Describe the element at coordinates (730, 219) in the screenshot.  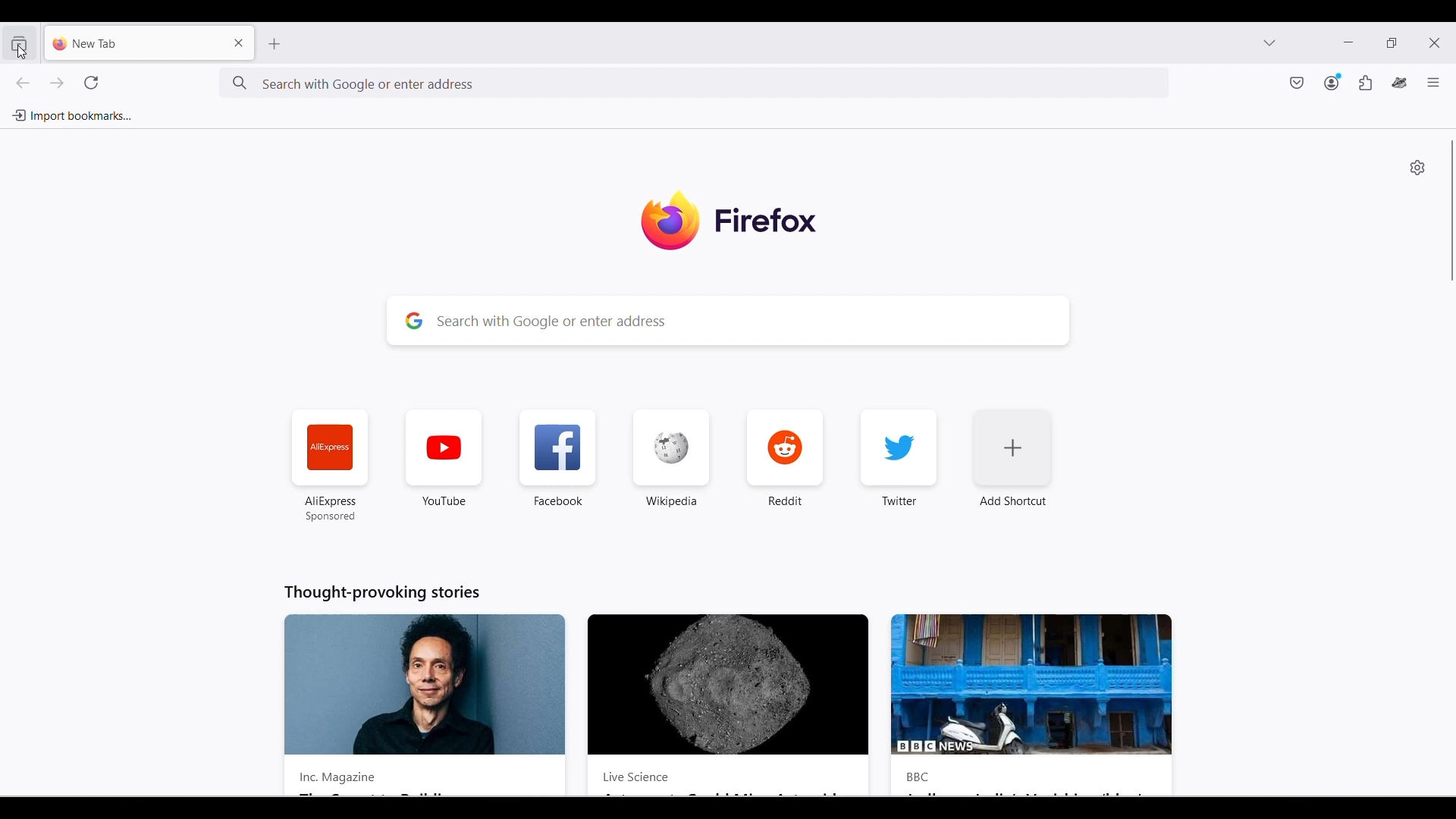
I see `Browser name and logo` at that location.